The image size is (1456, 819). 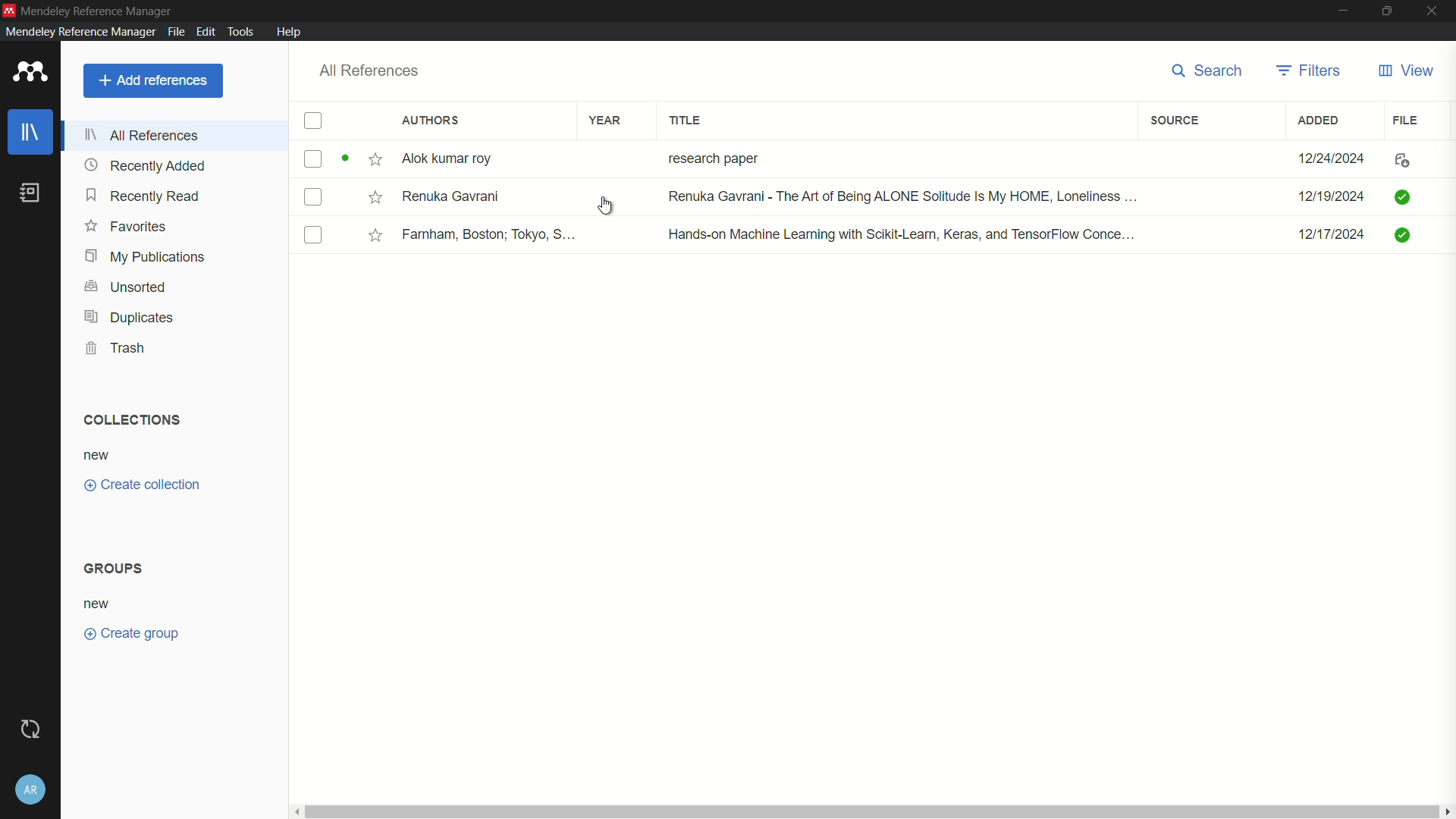 I want to click on favorites, so click(x=124, y=227).